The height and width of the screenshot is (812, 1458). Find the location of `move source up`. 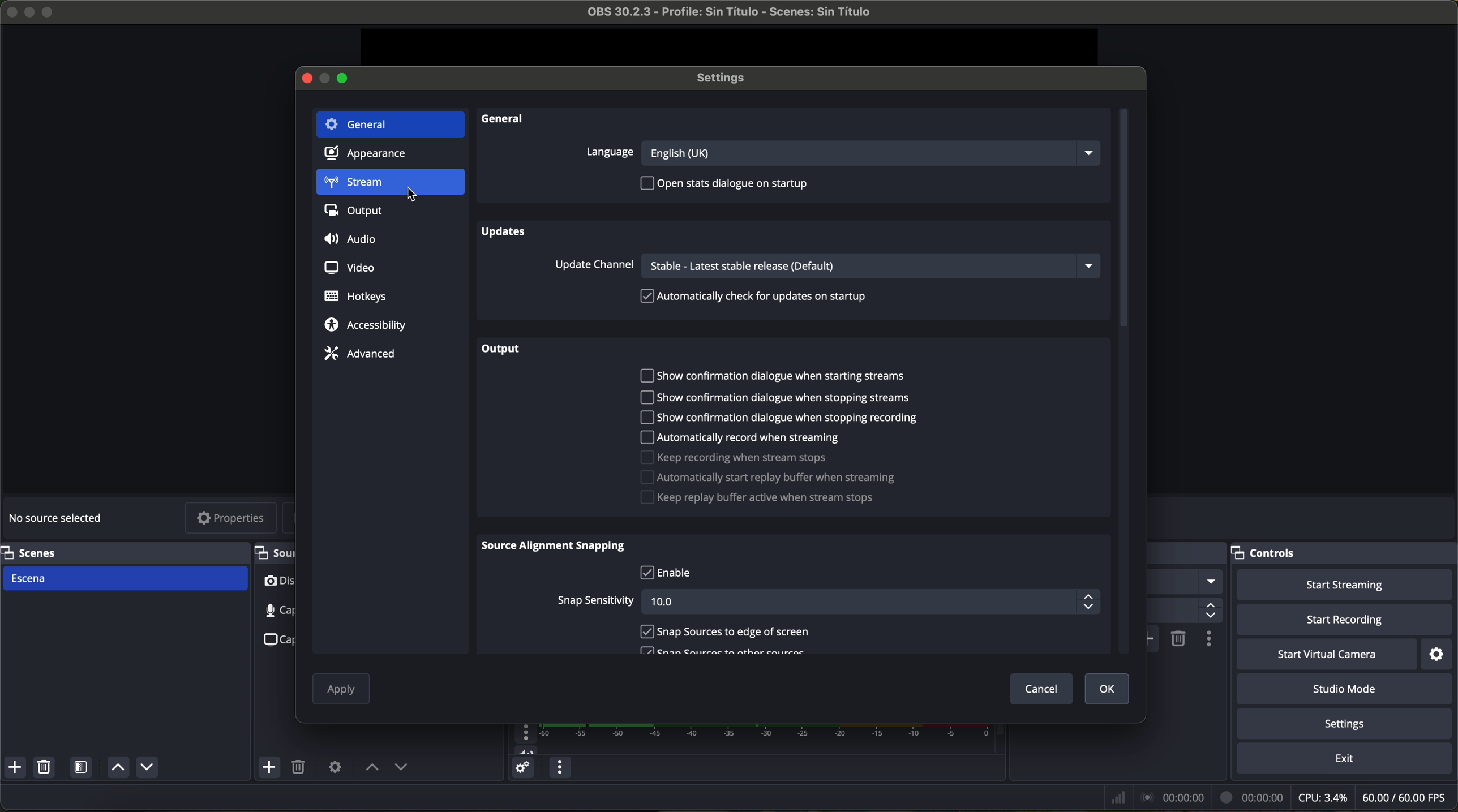

move source up is located at coordinates (116, 768).